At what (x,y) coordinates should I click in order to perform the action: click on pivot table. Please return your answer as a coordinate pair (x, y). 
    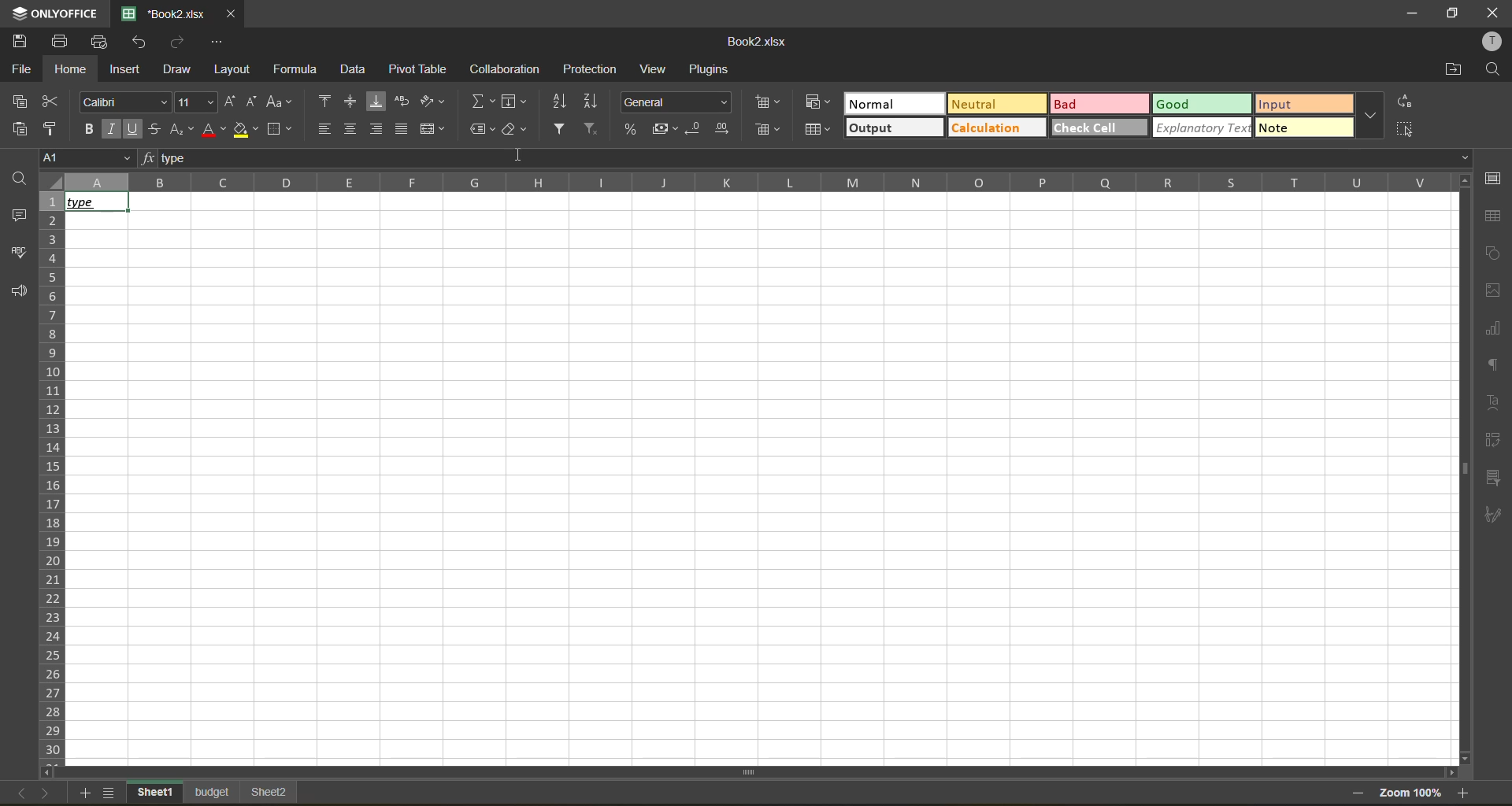
    Looking at the image, I should click on (1490, 440).